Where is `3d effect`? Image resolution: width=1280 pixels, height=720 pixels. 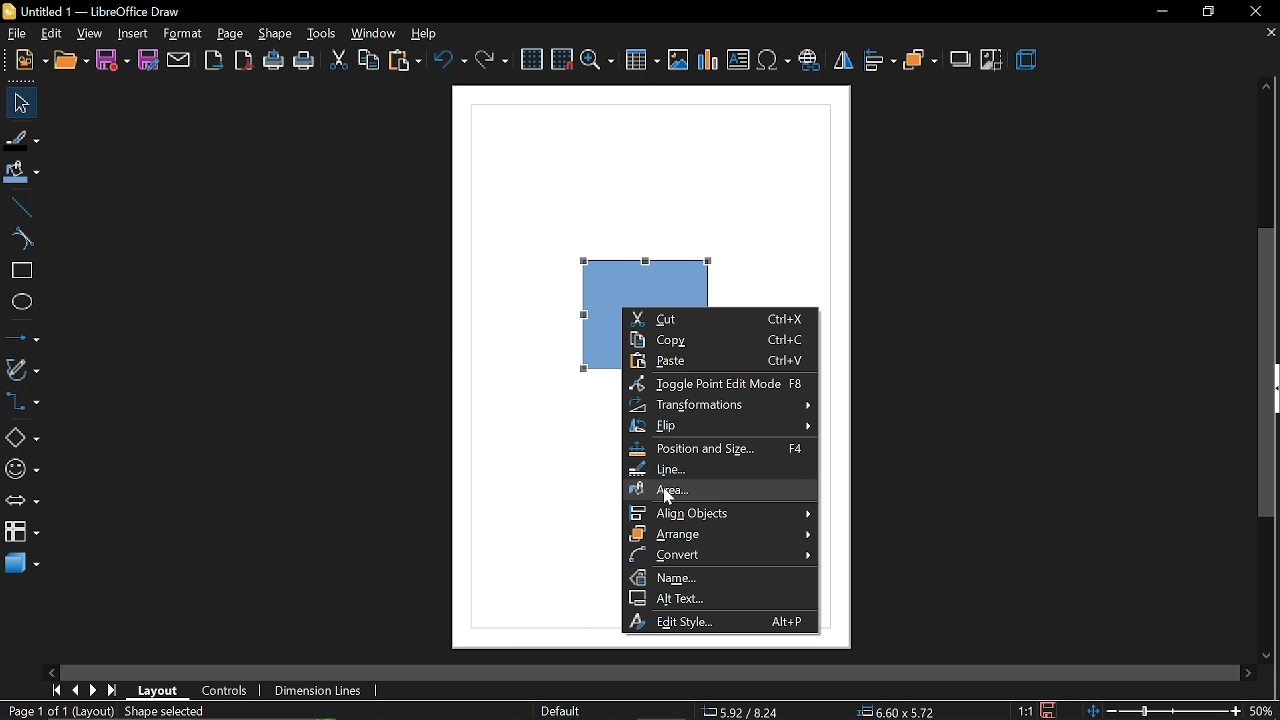 3d effect is located at coordinates (1028, 62).